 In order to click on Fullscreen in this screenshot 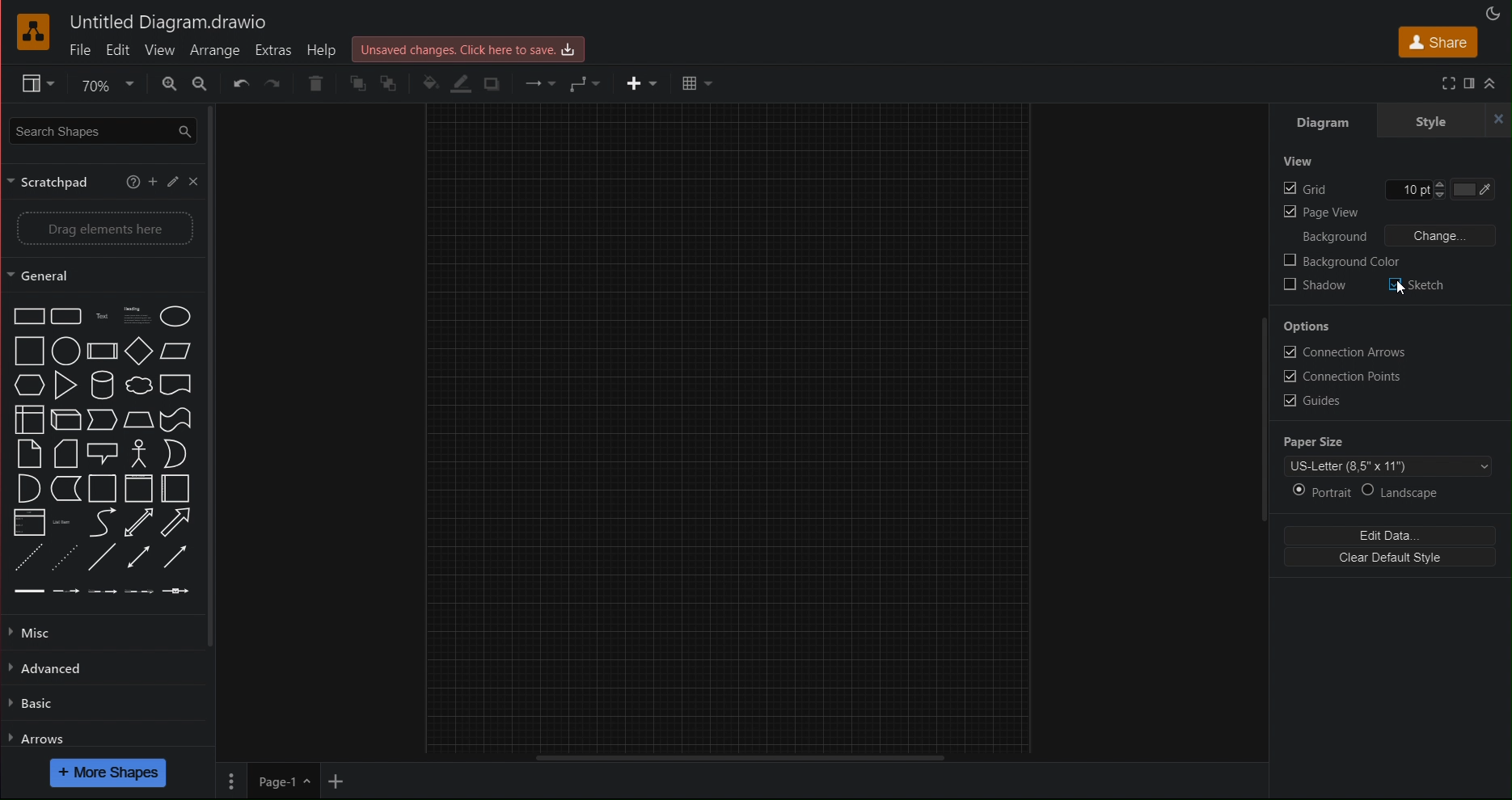, I will do `click(1447, 85)`.